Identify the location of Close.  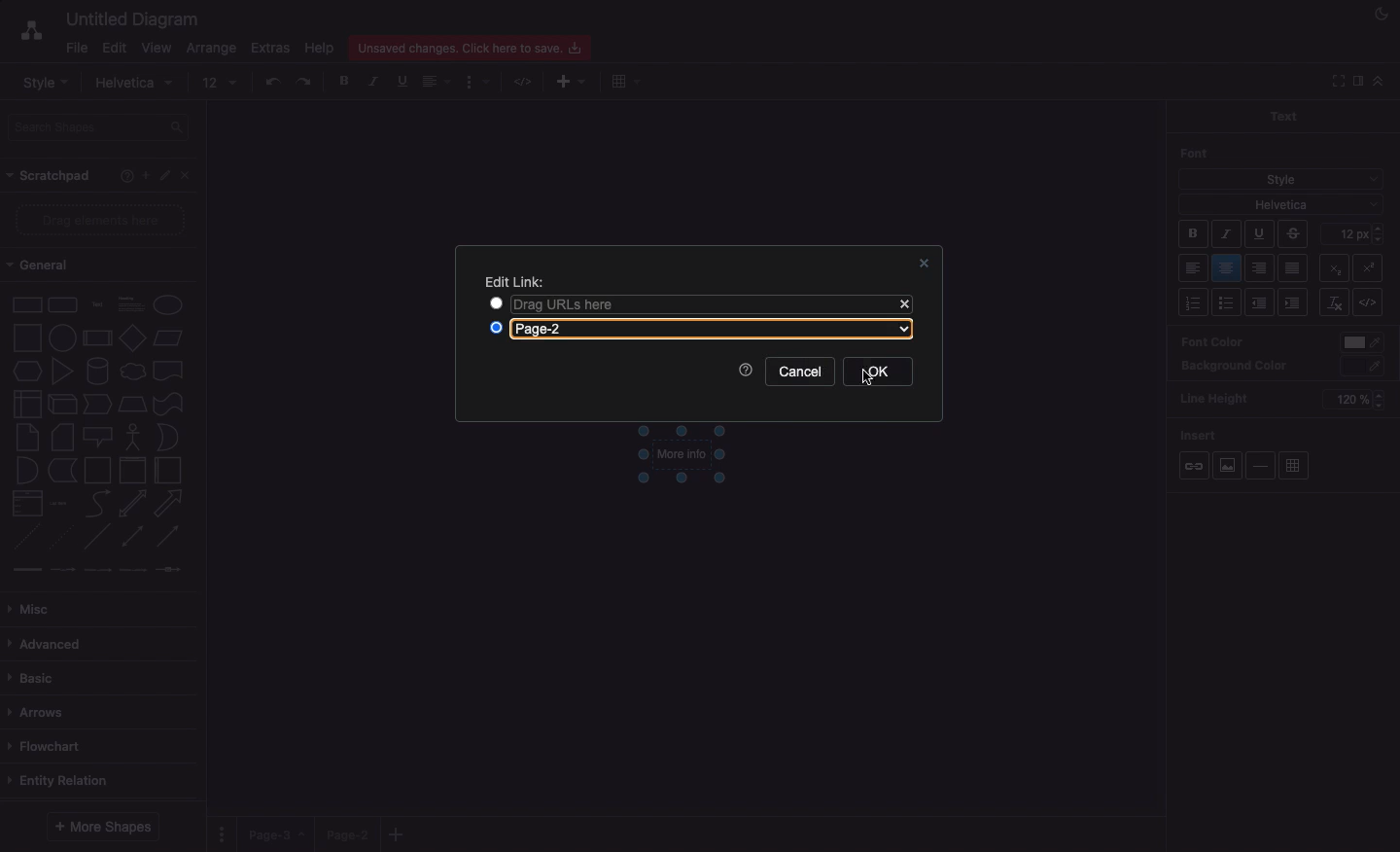
(190, 179).